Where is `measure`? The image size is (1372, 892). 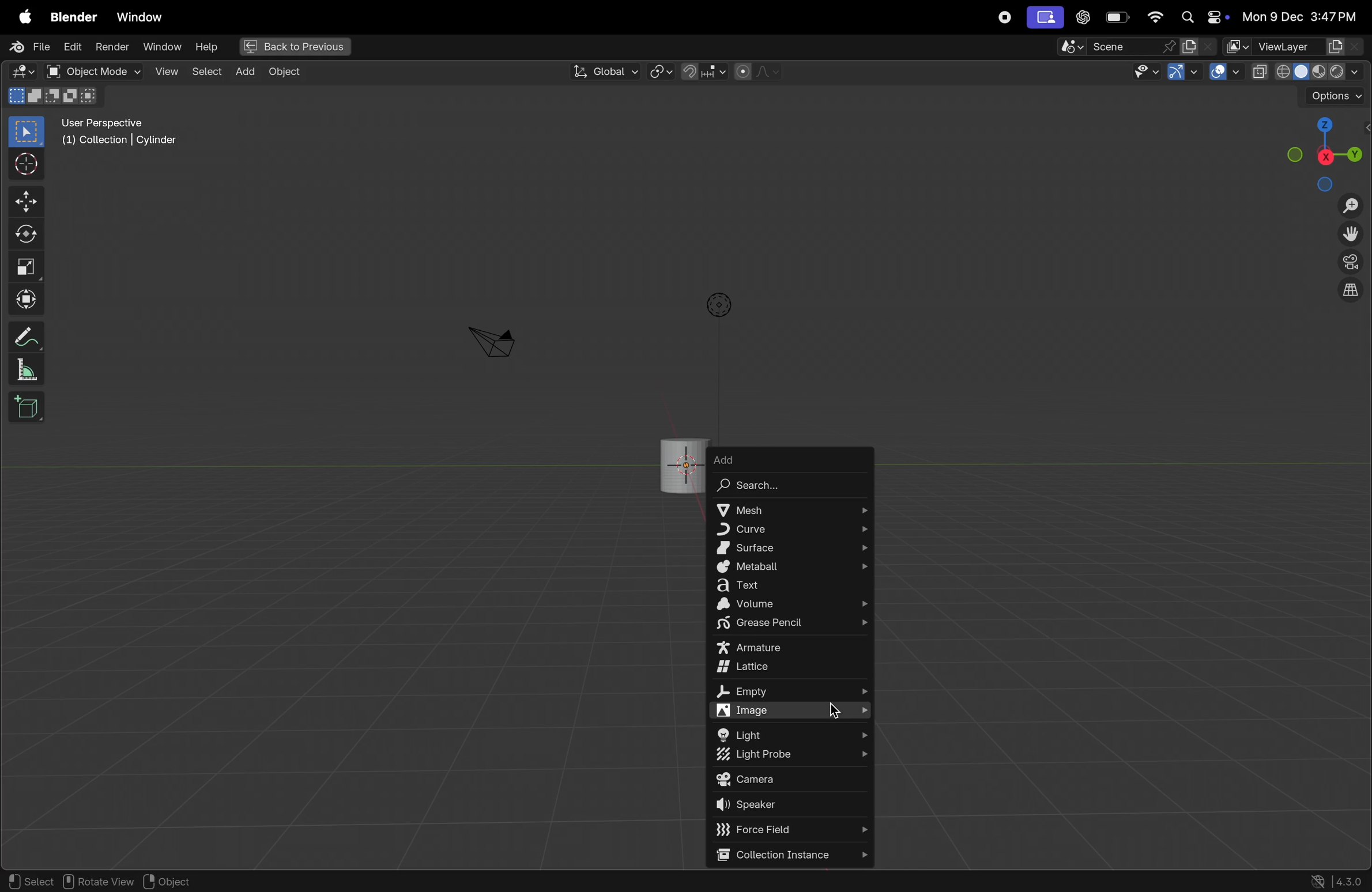 measure is located at coordinates (28, 371).